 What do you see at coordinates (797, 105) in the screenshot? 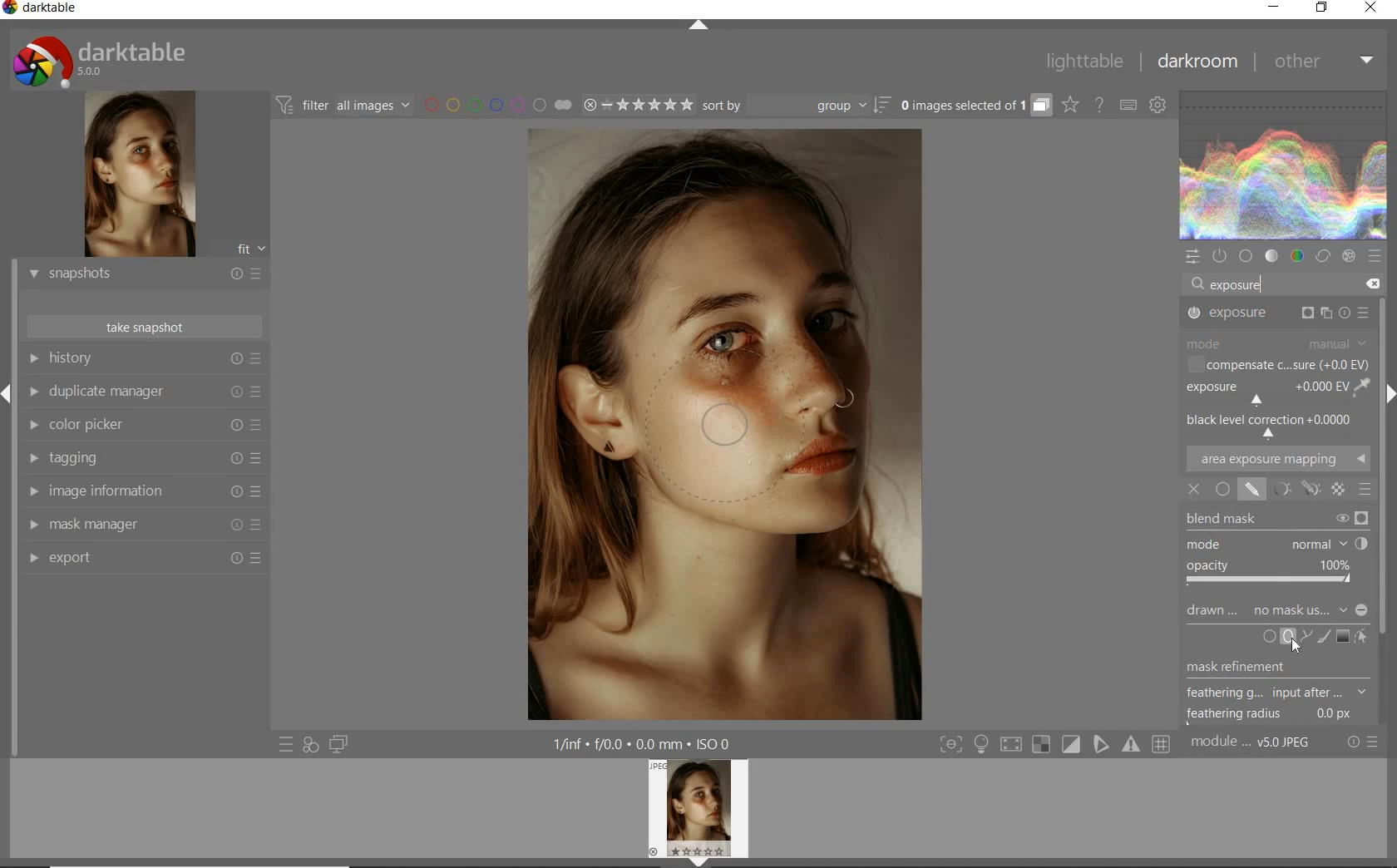
I see `sort` at bounding box center [797, 105].